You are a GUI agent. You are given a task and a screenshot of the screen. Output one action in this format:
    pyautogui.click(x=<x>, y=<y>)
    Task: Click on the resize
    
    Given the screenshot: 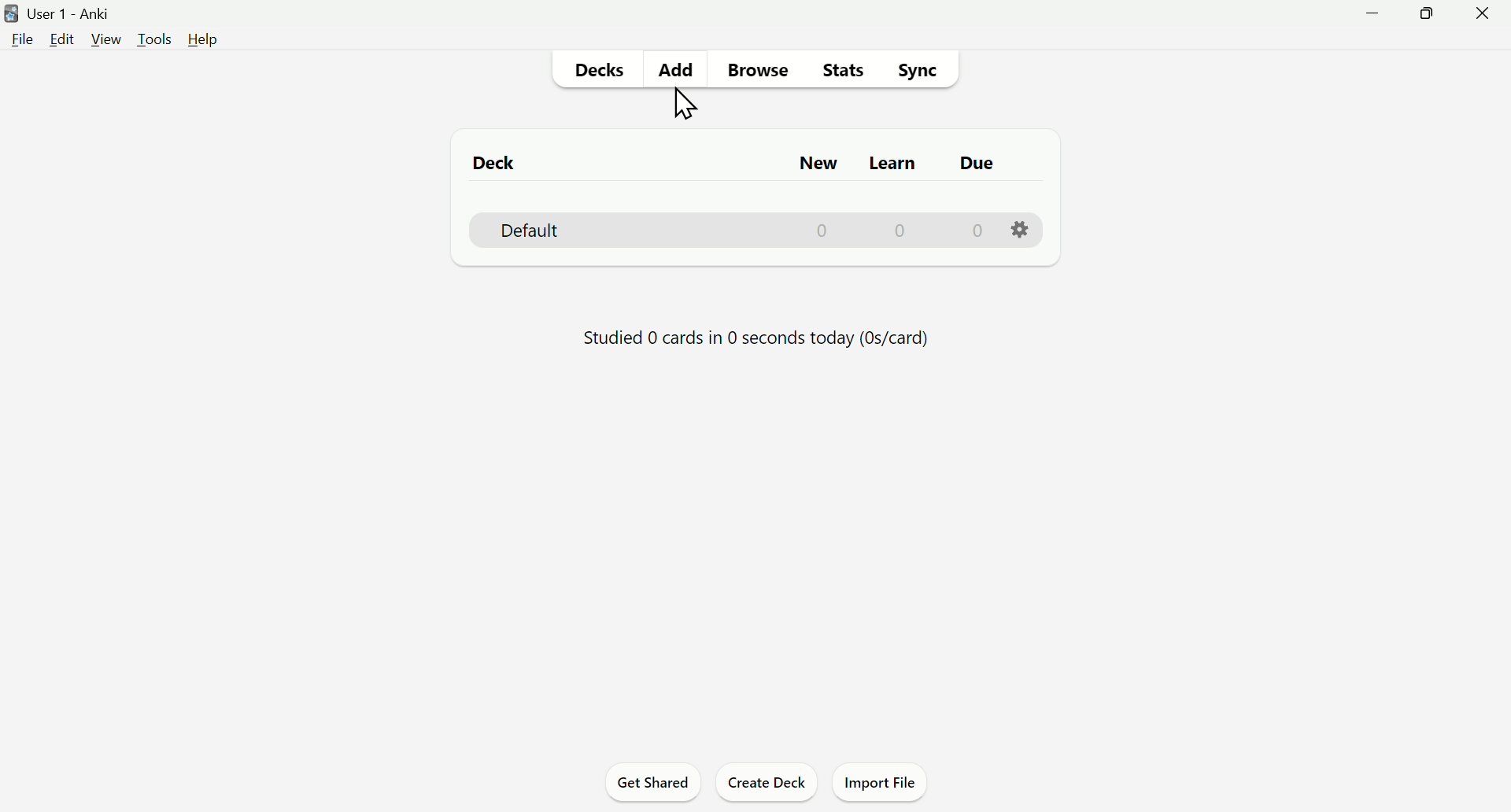 What is the action you would take?
    pyautogui.click(x=1426, y=13)
    